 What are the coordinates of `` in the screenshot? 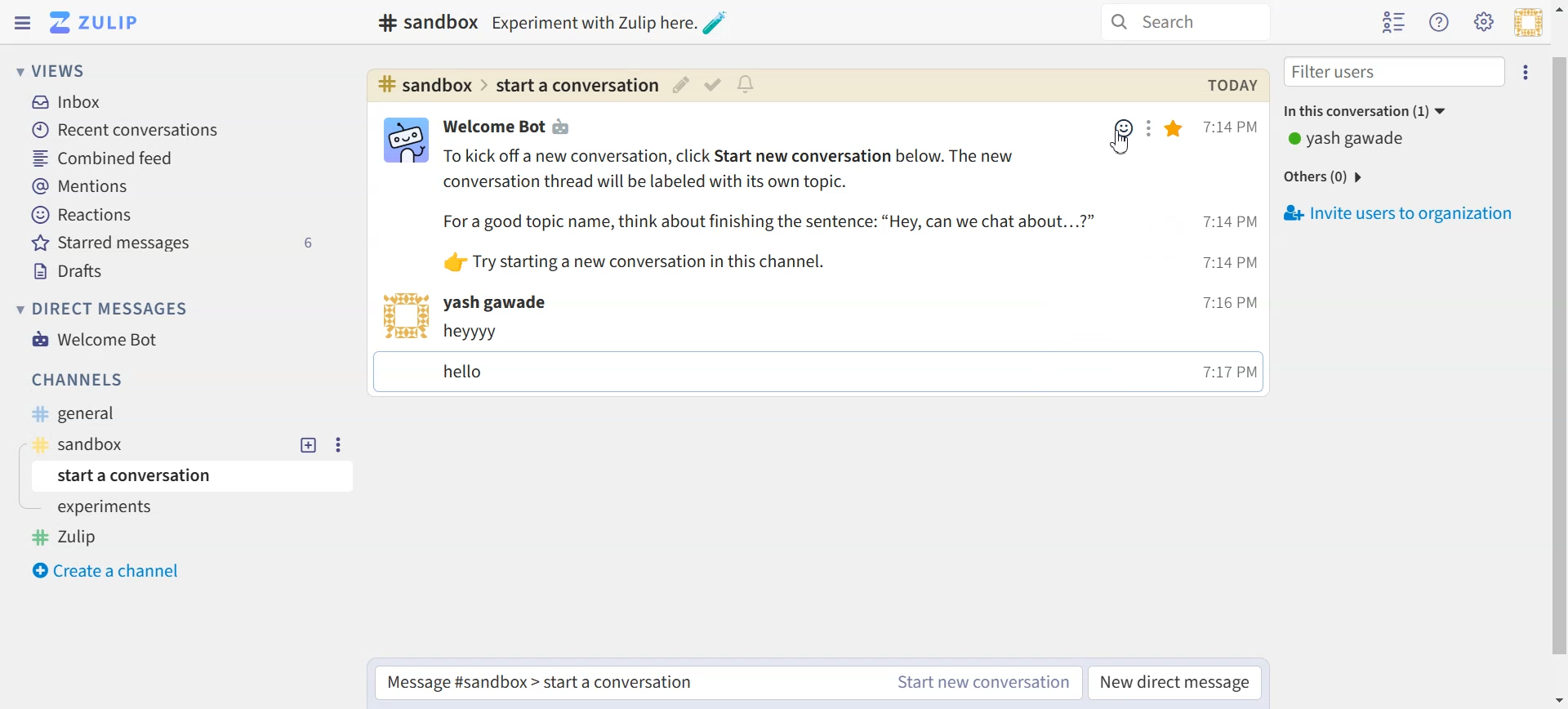 It's located at (612, 22).